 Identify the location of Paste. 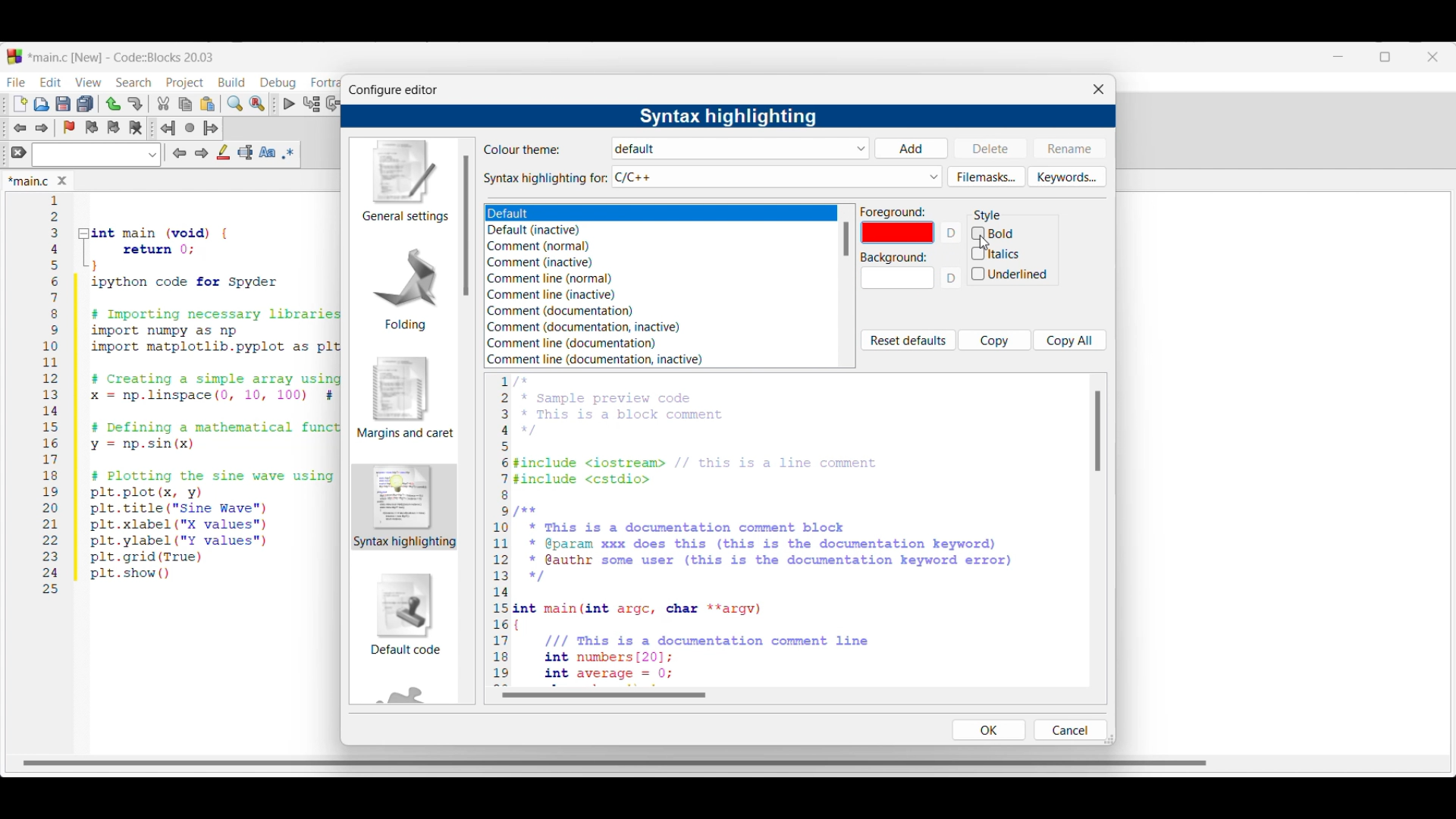
(208, 104).